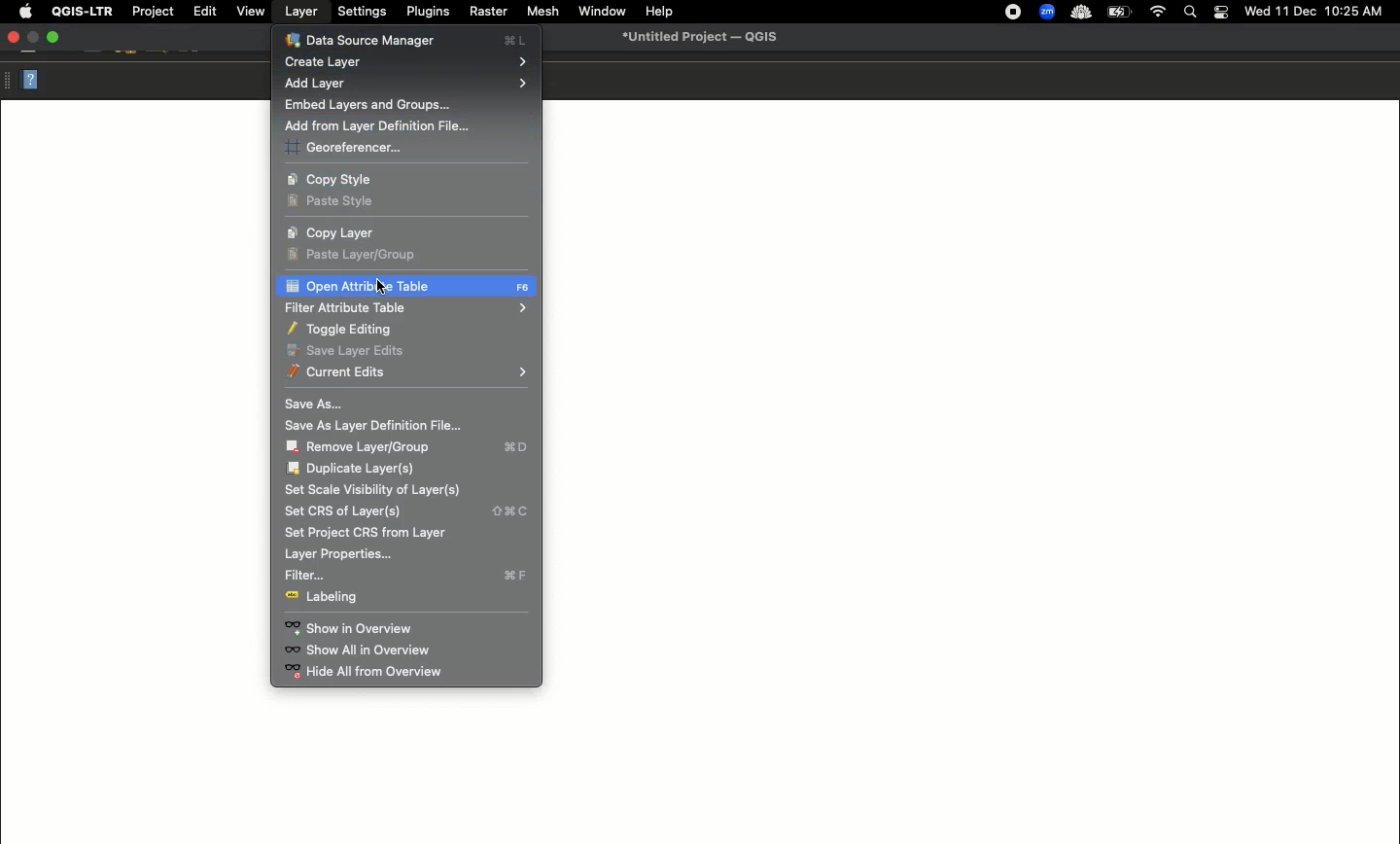  What do you see at coordinates (406, 63) in the screenshot?
I see `Create layer` at bounding box center [406, 63].